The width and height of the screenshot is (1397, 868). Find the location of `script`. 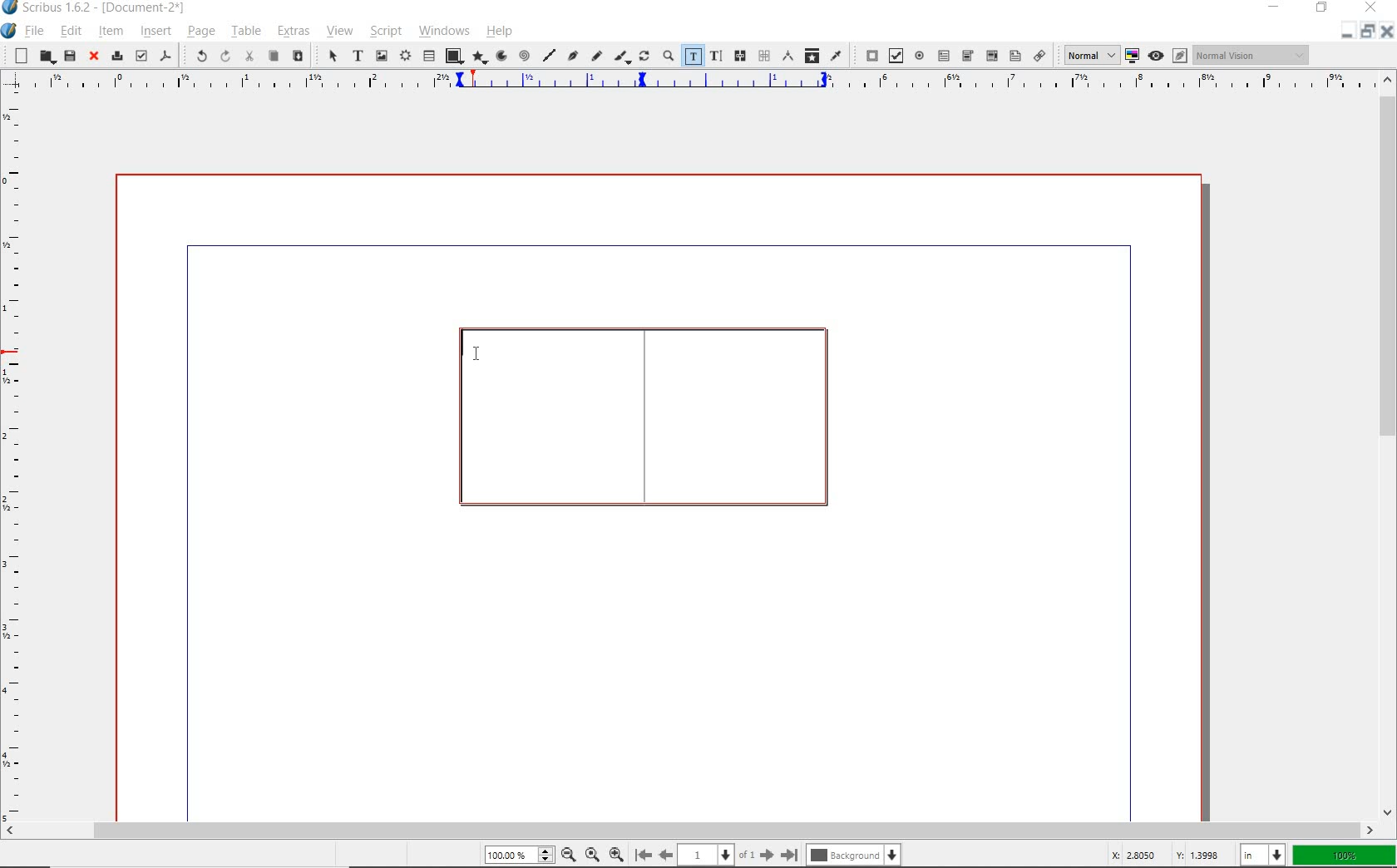

script is located at coordinates (383, 31).